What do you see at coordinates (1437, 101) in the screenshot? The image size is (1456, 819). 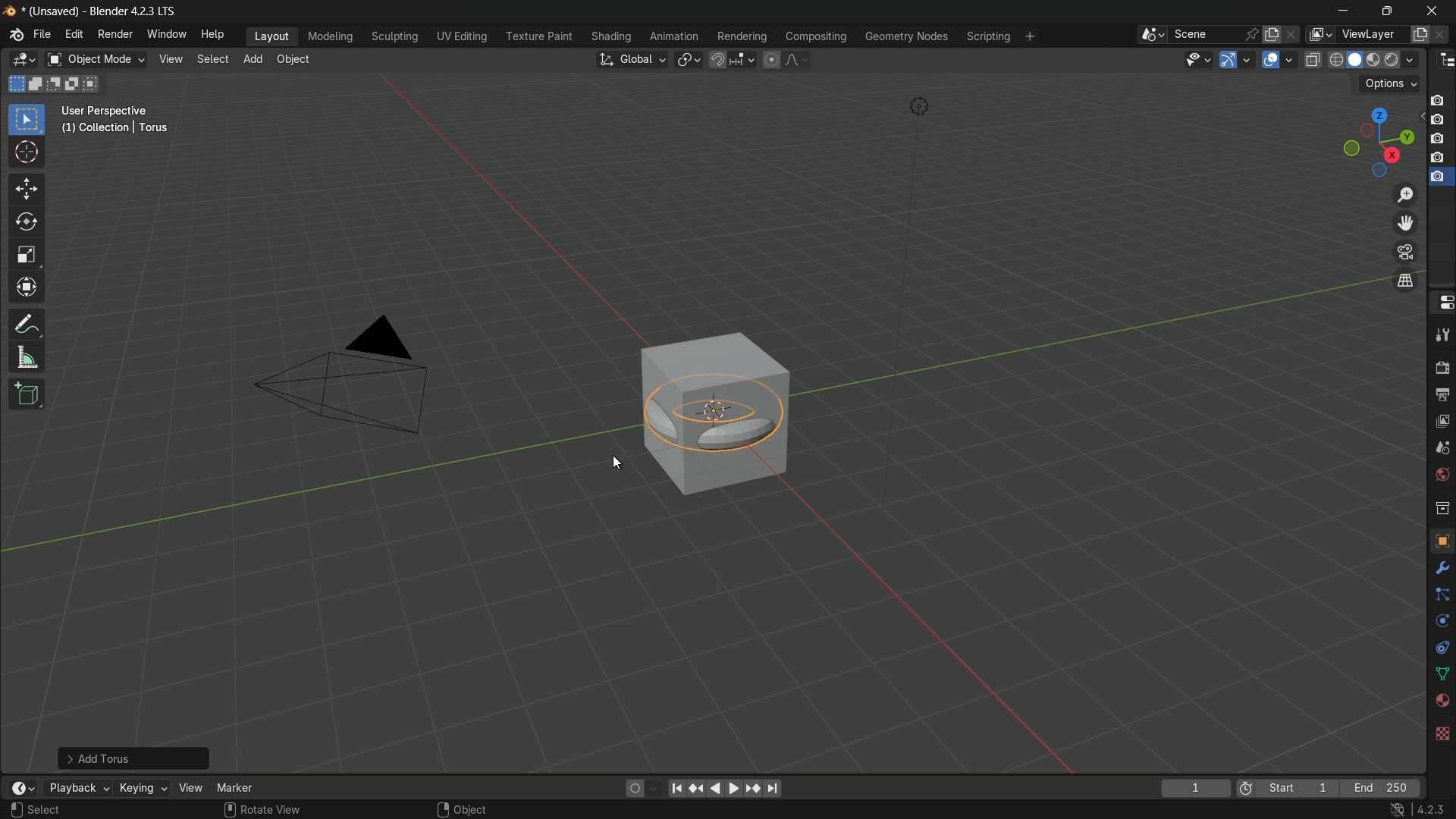 I see `layer 1` at bounding box center [1437, 101].